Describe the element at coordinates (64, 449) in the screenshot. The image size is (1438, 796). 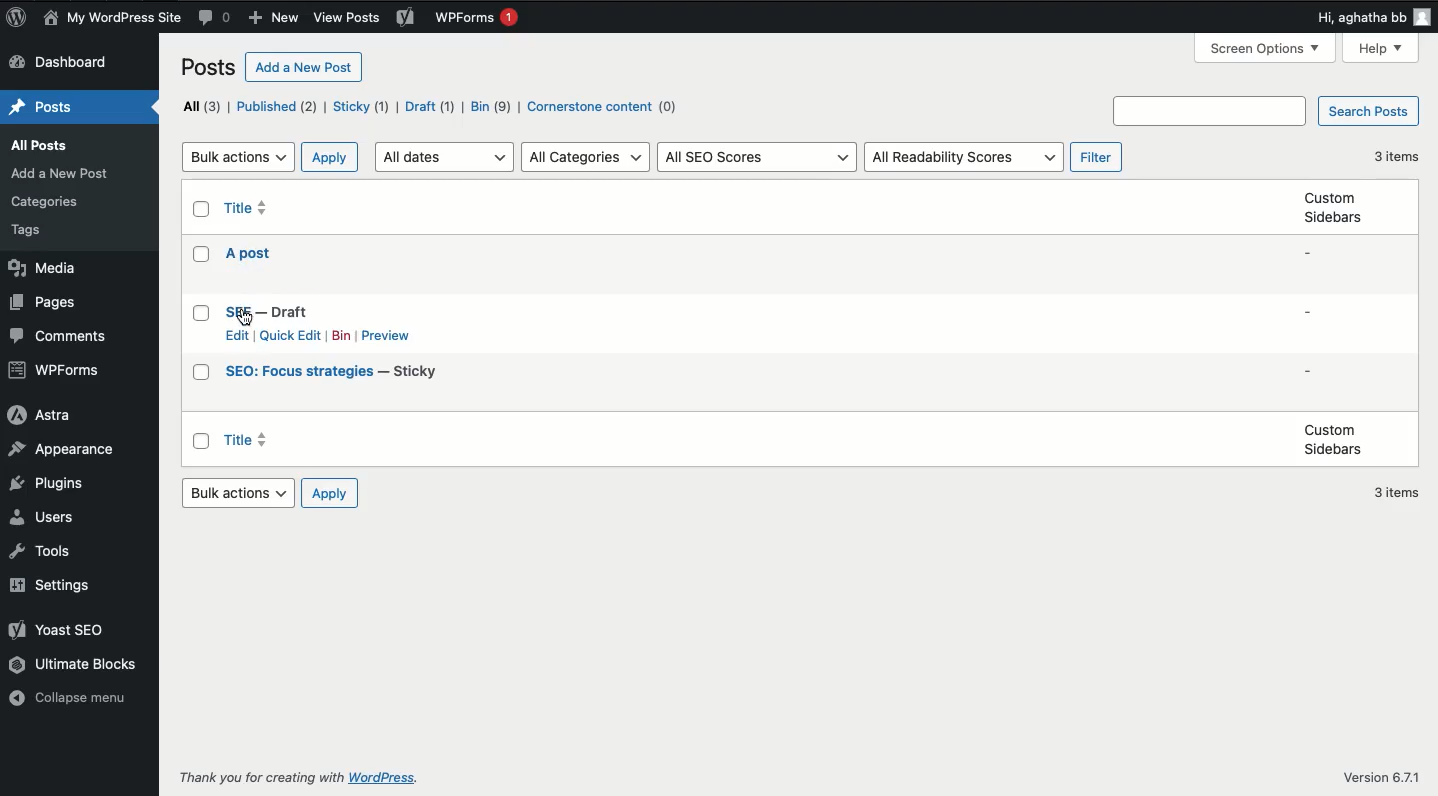
I see `Appearance` at that location.